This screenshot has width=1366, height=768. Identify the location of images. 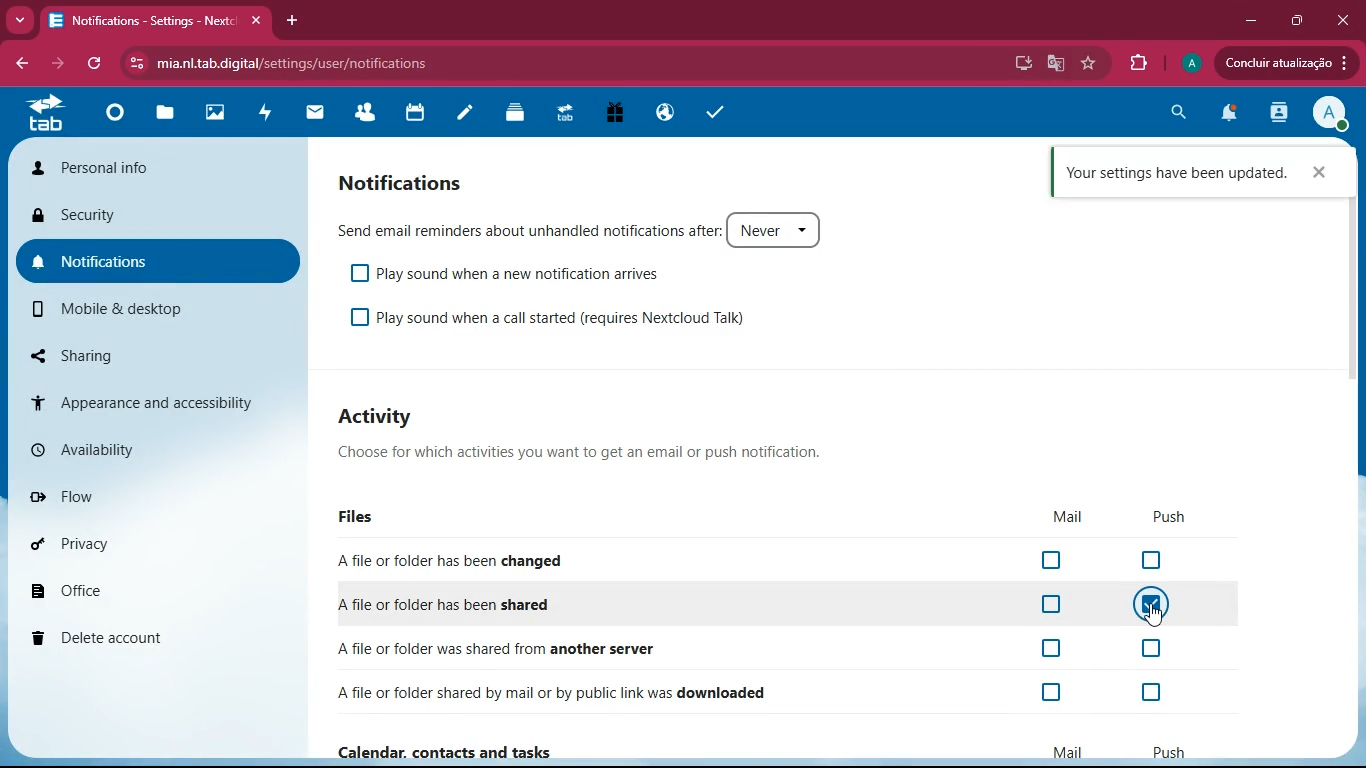
(210, 115).